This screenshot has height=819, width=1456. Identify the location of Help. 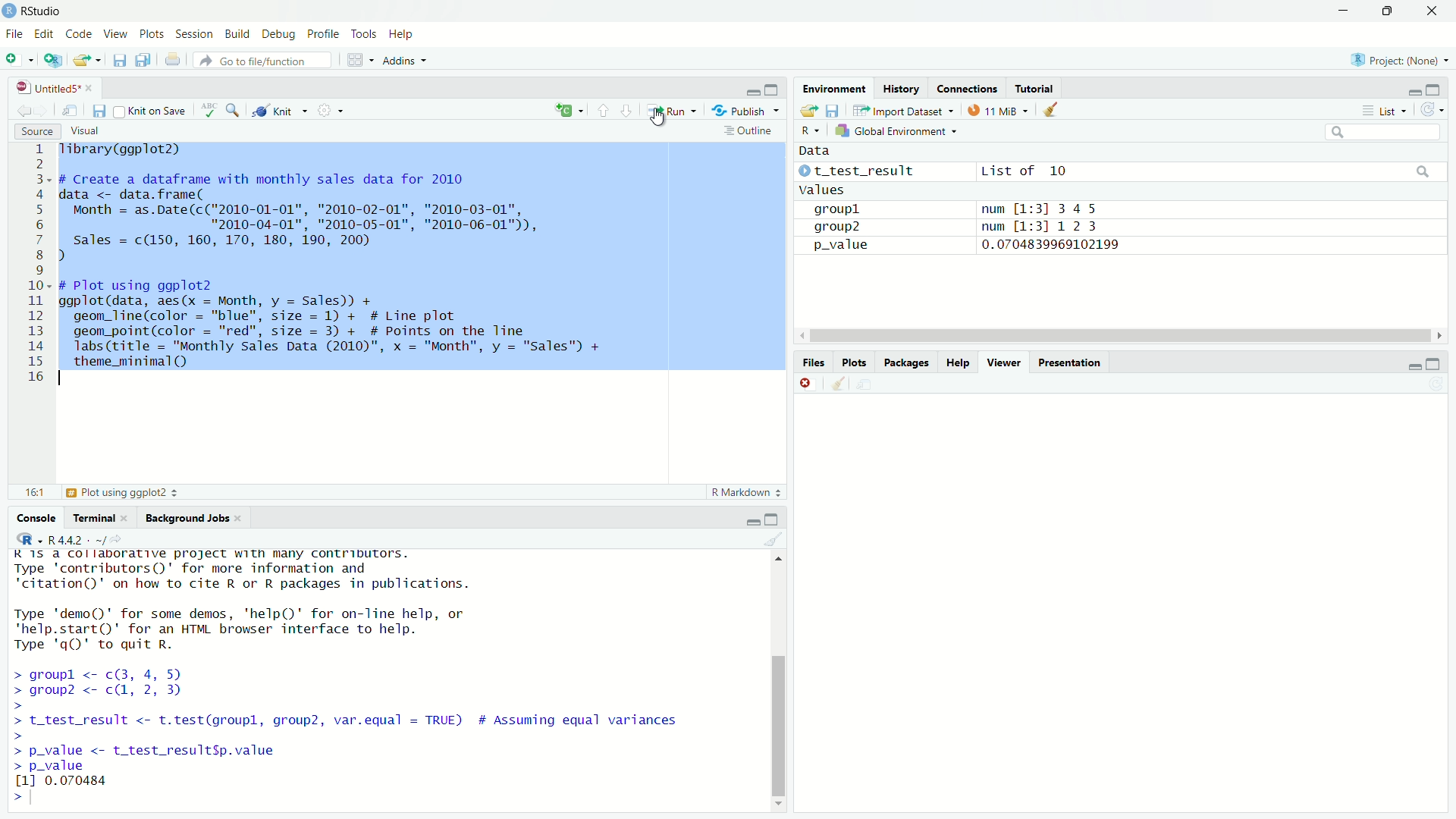
(957, 362).